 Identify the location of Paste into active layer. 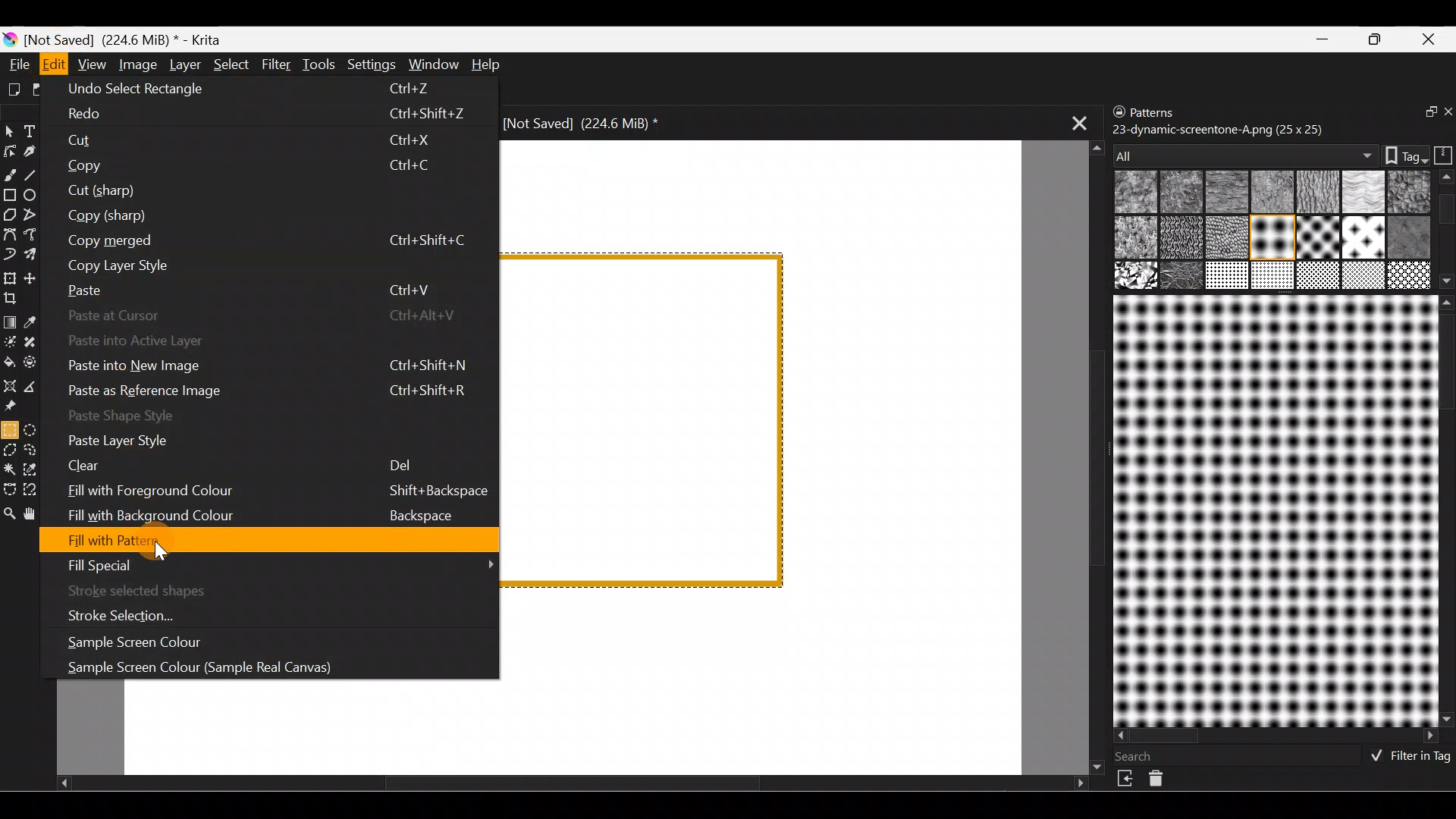
(260, 337).